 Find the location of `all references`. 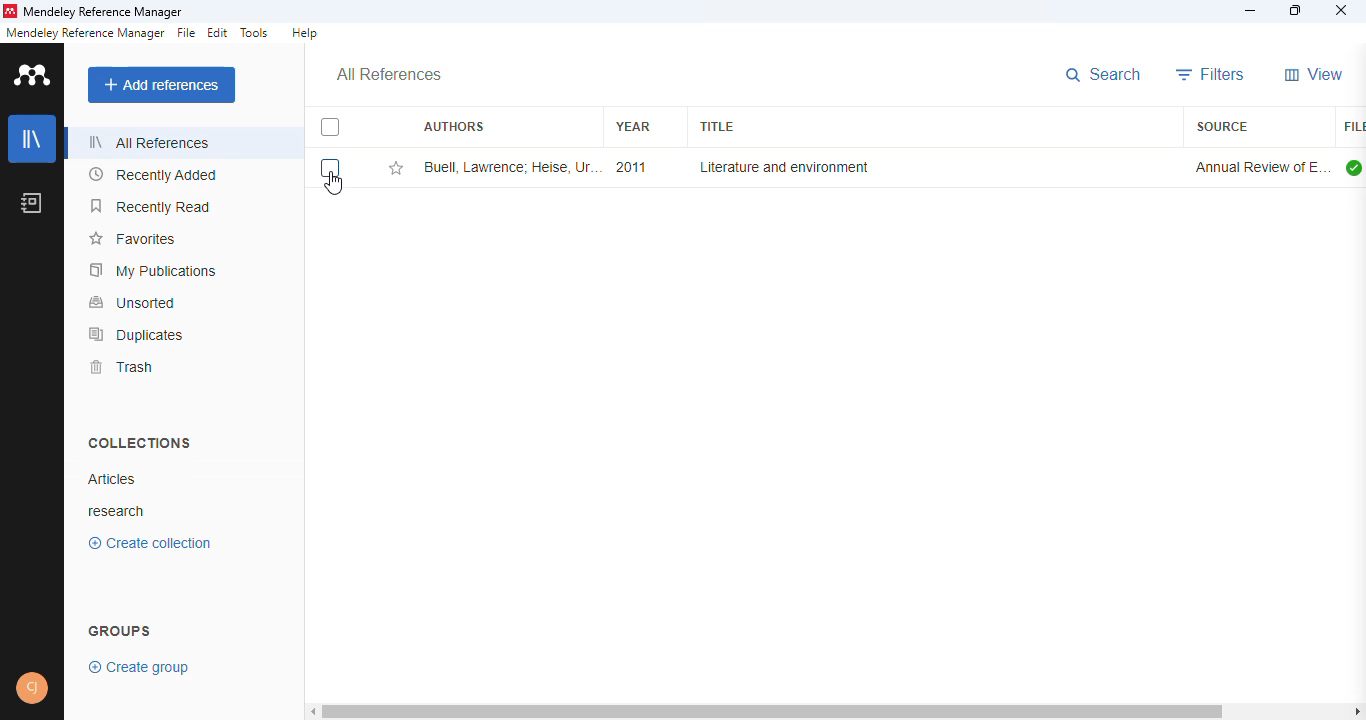

all references is located at coordinates (388, 75).